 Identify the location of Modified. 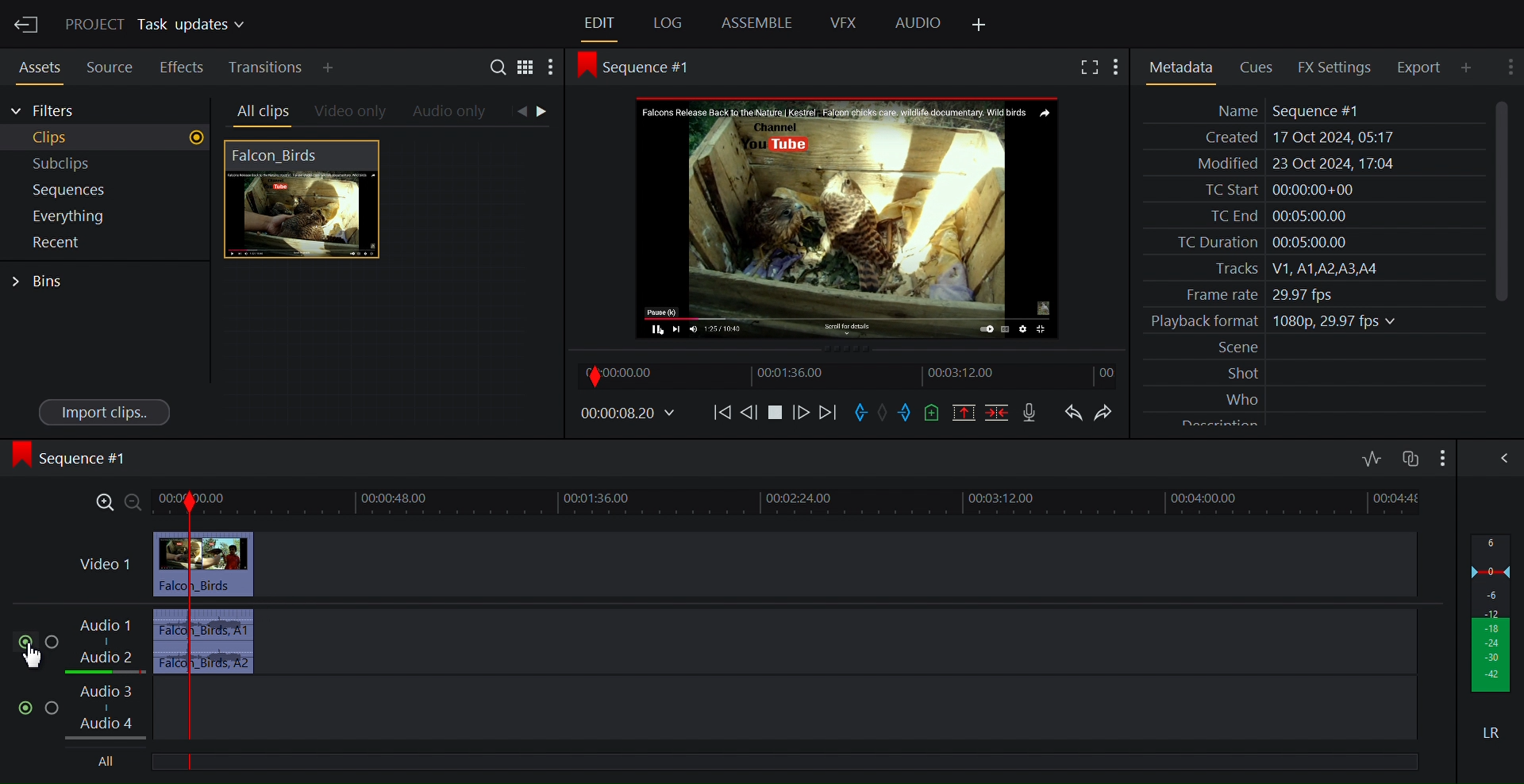
(1310, 165).